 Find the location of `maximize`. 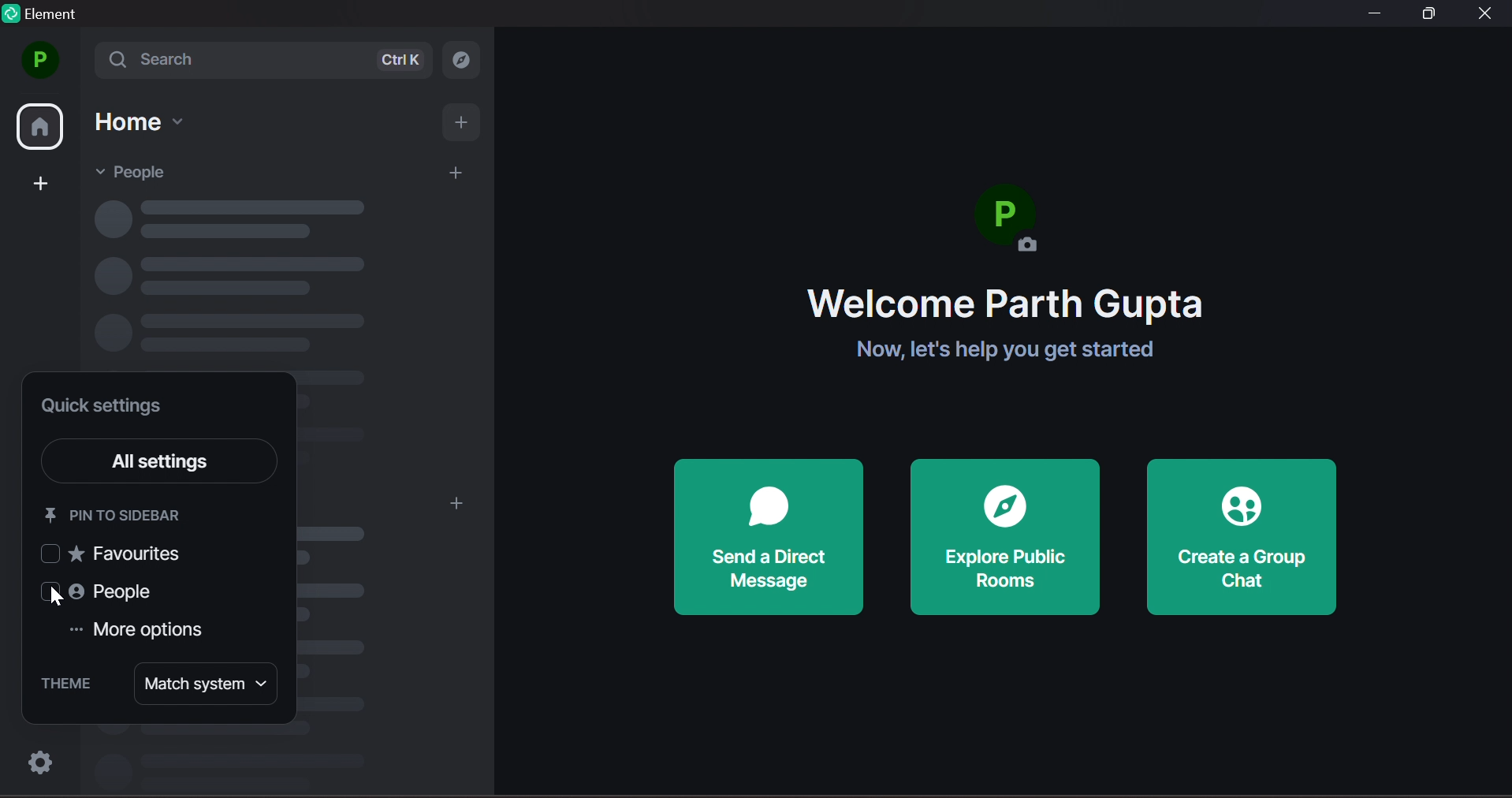

maximize is located at coordinates (1432, 13).